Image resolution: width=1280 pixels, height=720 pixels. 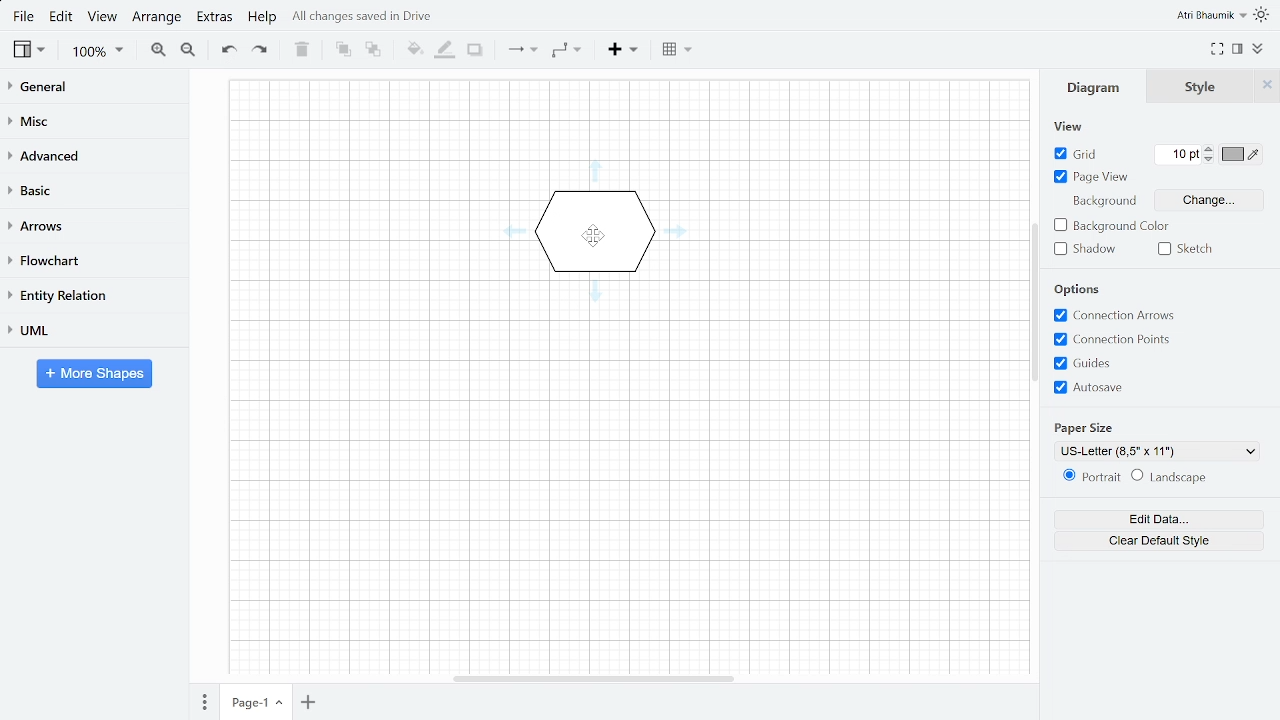 What do you see at coordinates (1111, 339) in the screenshot?
I see `Connection points` at bounding box center [1111, 339].